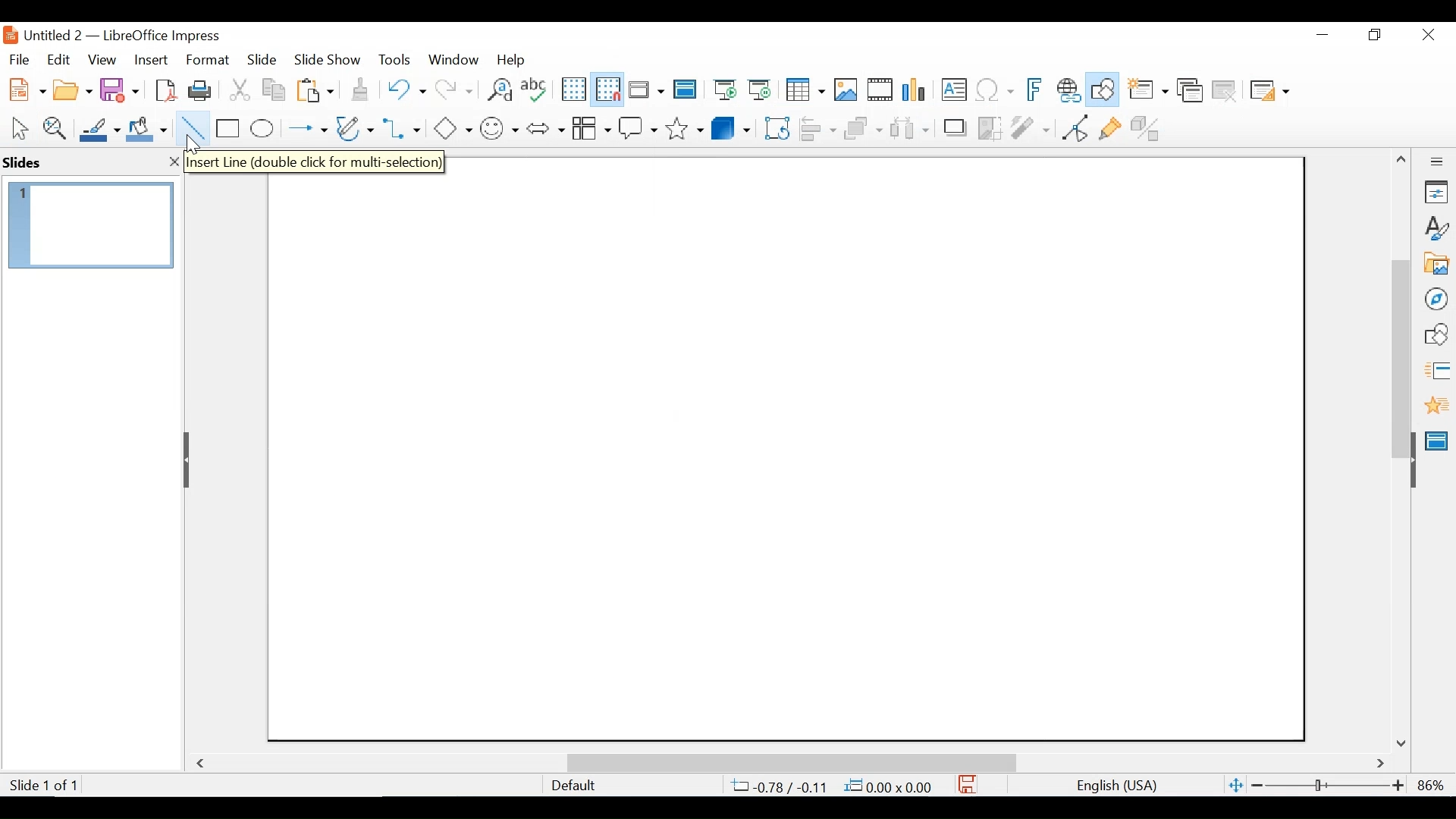 The image size is (1456, 819). I want to click on Insert Textbox, so click(952, 91).